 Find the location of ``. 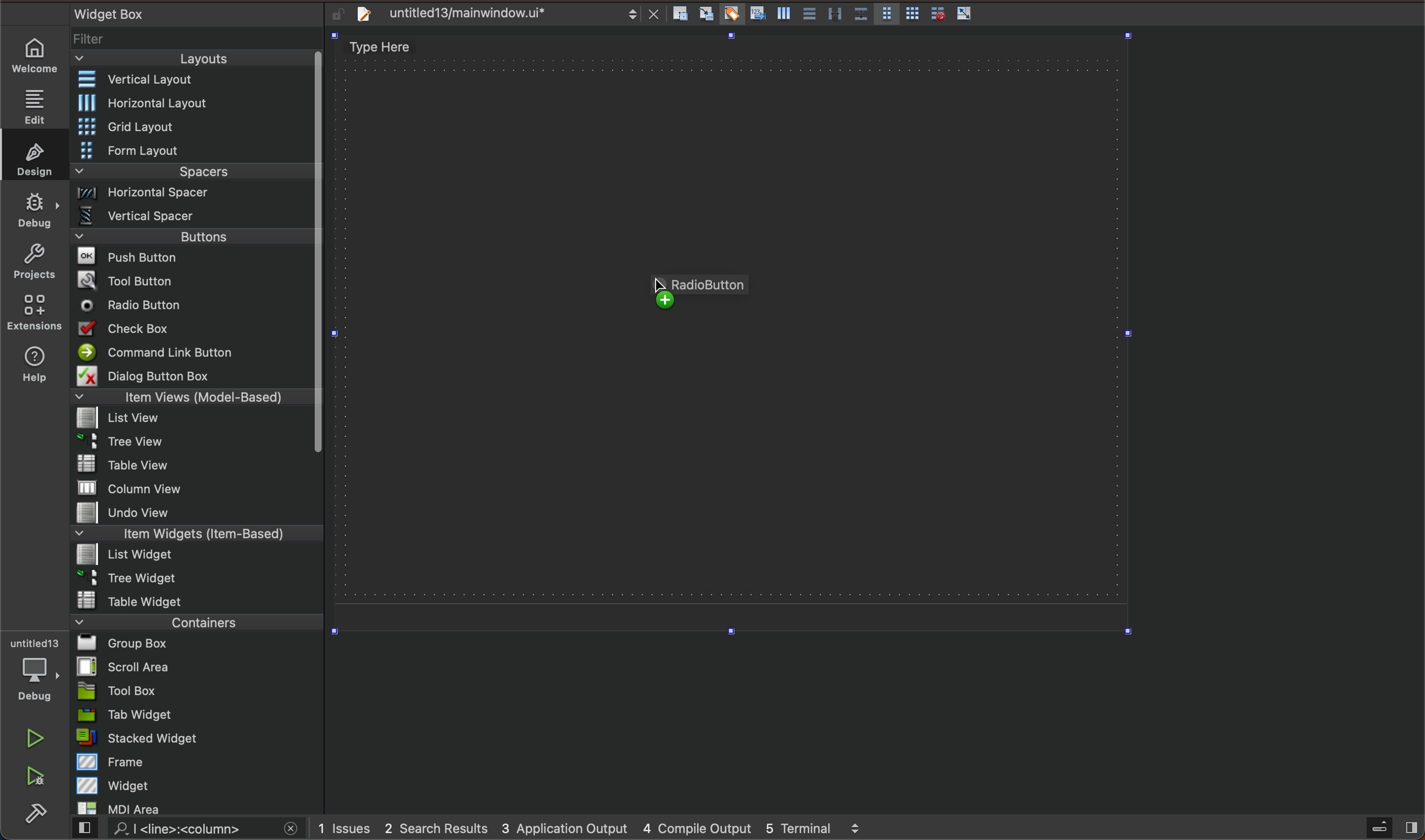

 is located at coordinates (935, 14).